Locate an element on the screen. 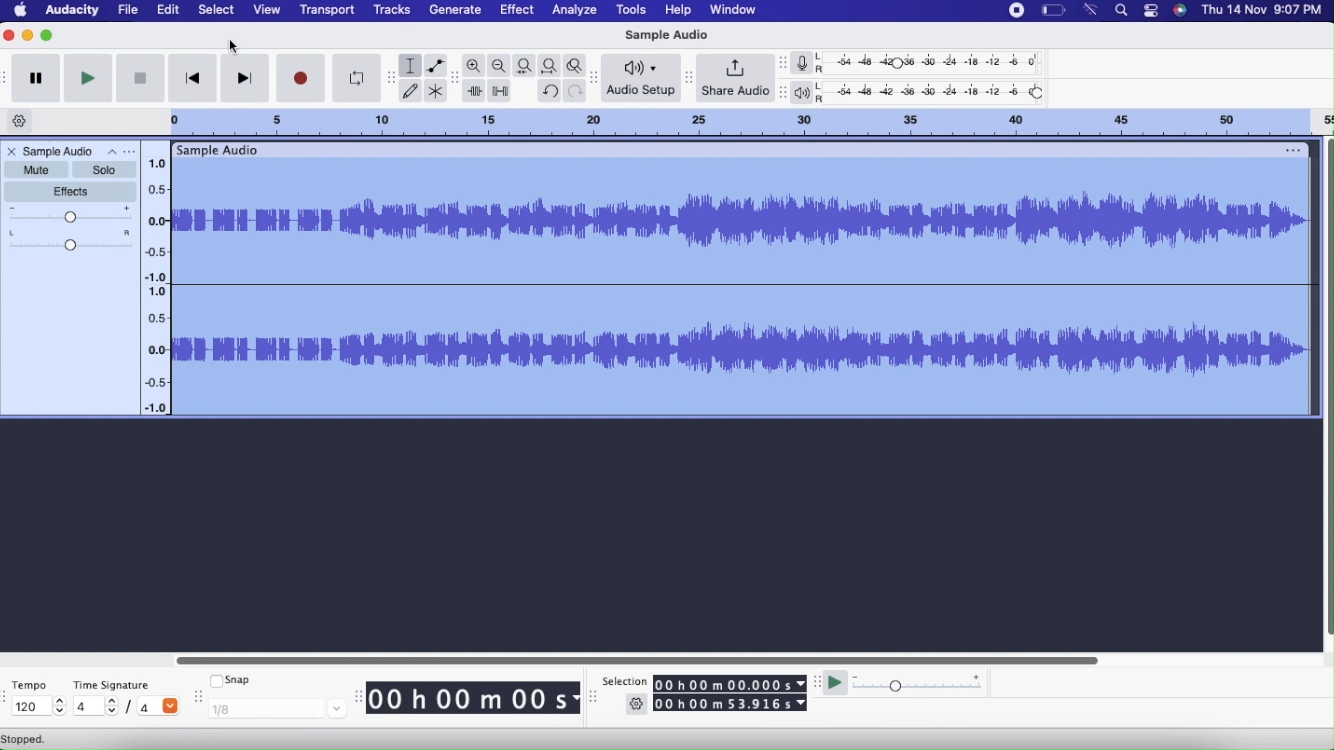 Image resolution: width=1334 pixels, height=750 pixels. Edit is located at coordinates (168, 10).